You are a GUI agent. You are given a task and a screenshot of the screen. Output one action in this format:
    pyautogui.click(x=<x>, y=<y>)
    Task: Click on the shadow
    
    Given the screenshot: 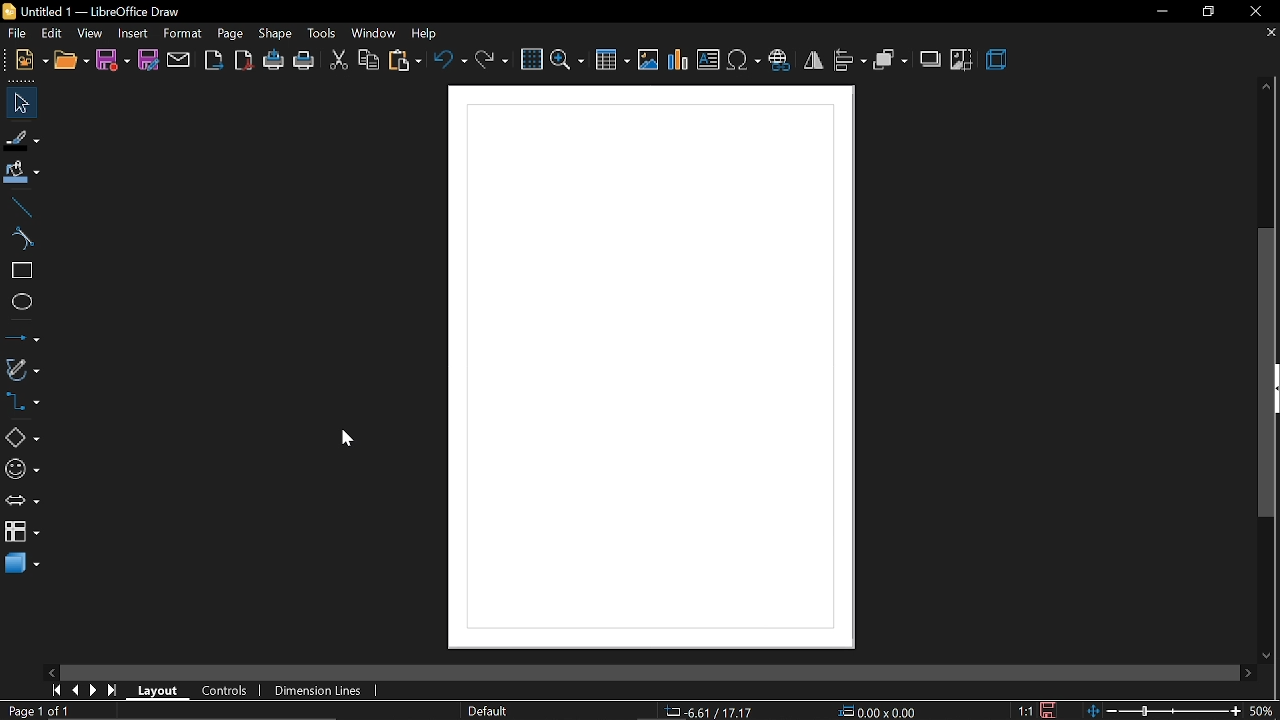 What is the action you would take?
    pyautogui.click(x=930, y=60)
    